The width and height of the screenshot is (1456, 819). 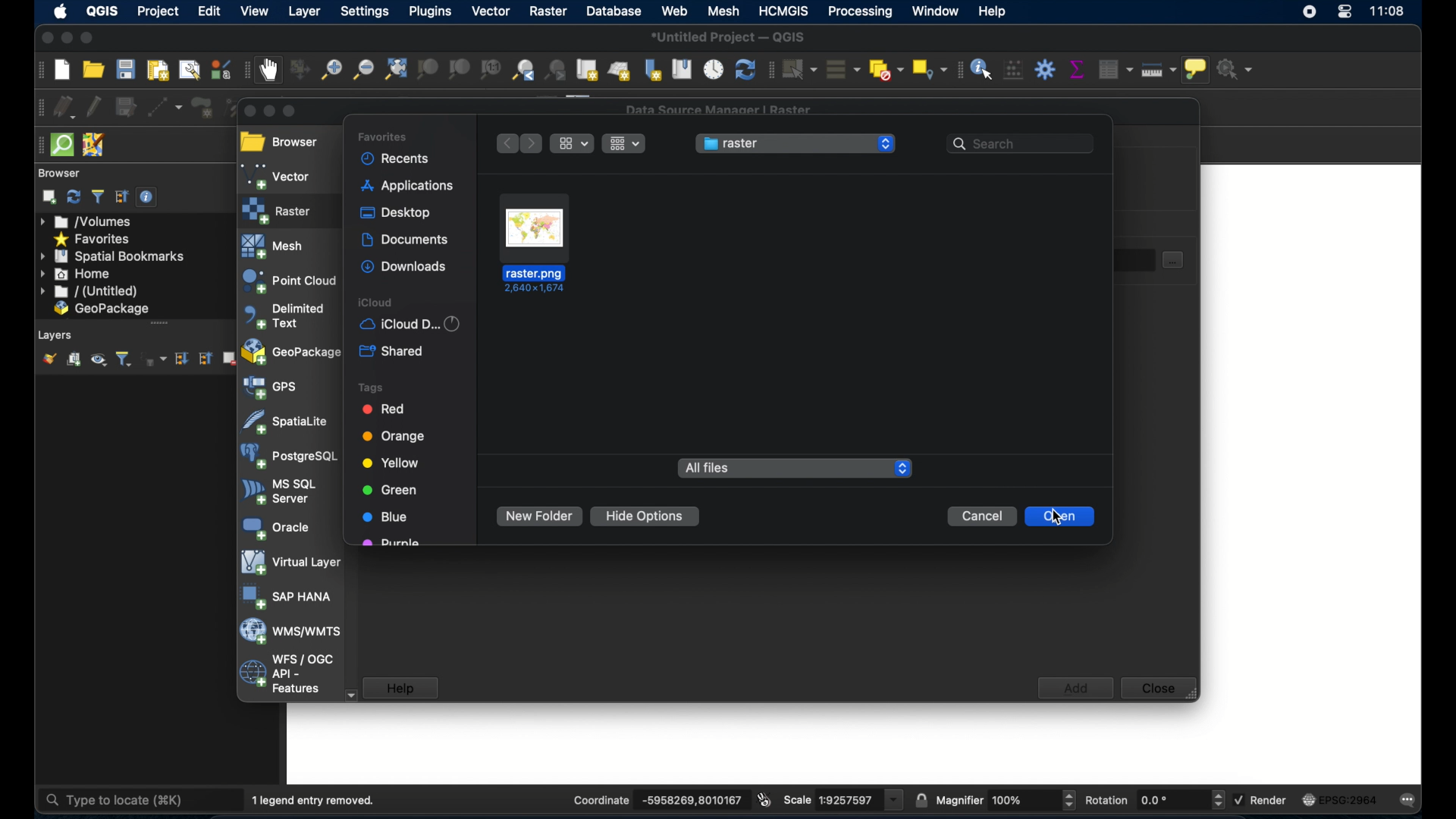 What do you see at coordinates (1197, 71) in the screenshot?
I see `show map tips` at bounding box center [1197, 71].